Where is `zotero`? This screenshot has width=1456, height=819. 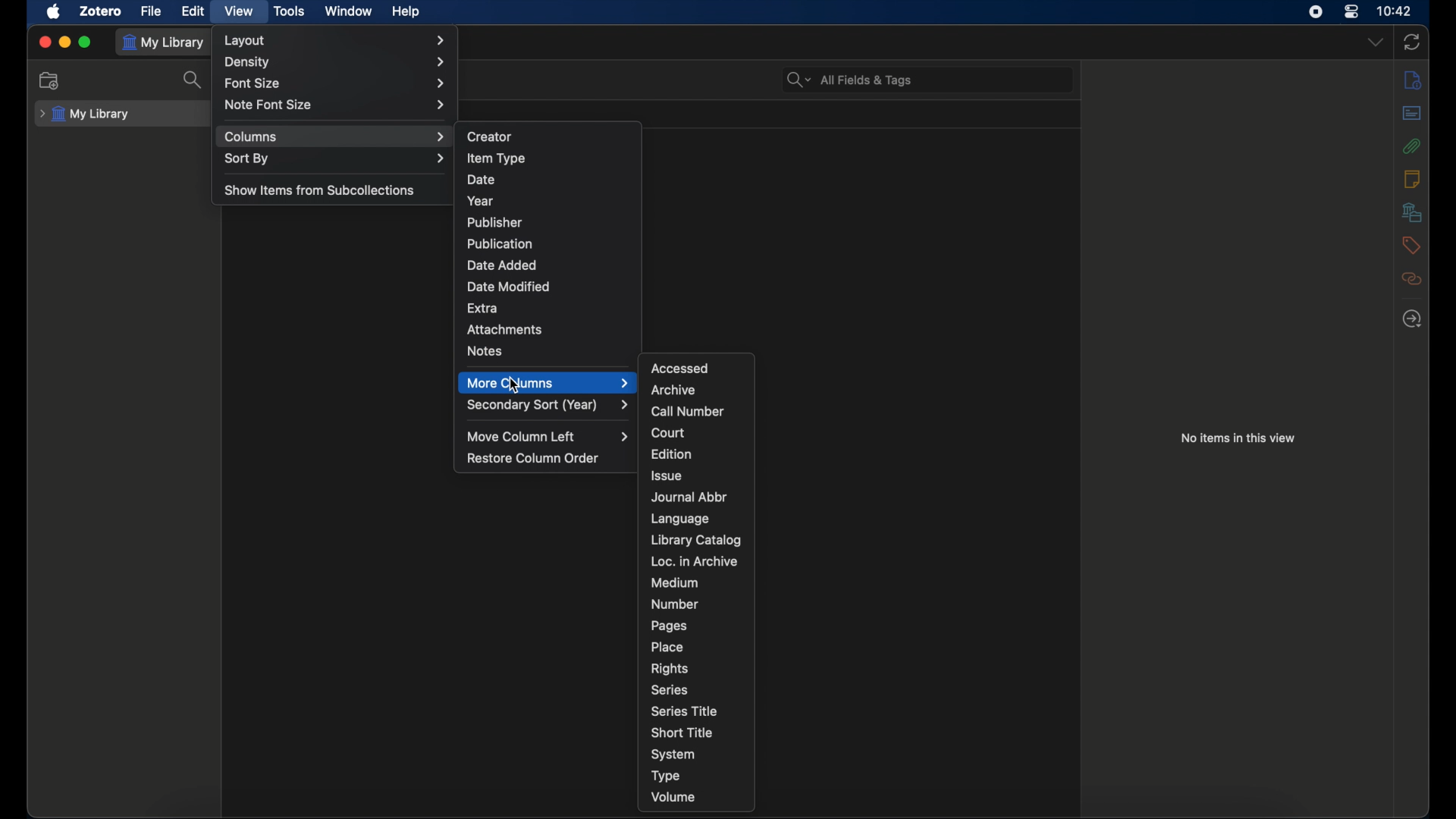 zotero is located at coordinates (99, 11).